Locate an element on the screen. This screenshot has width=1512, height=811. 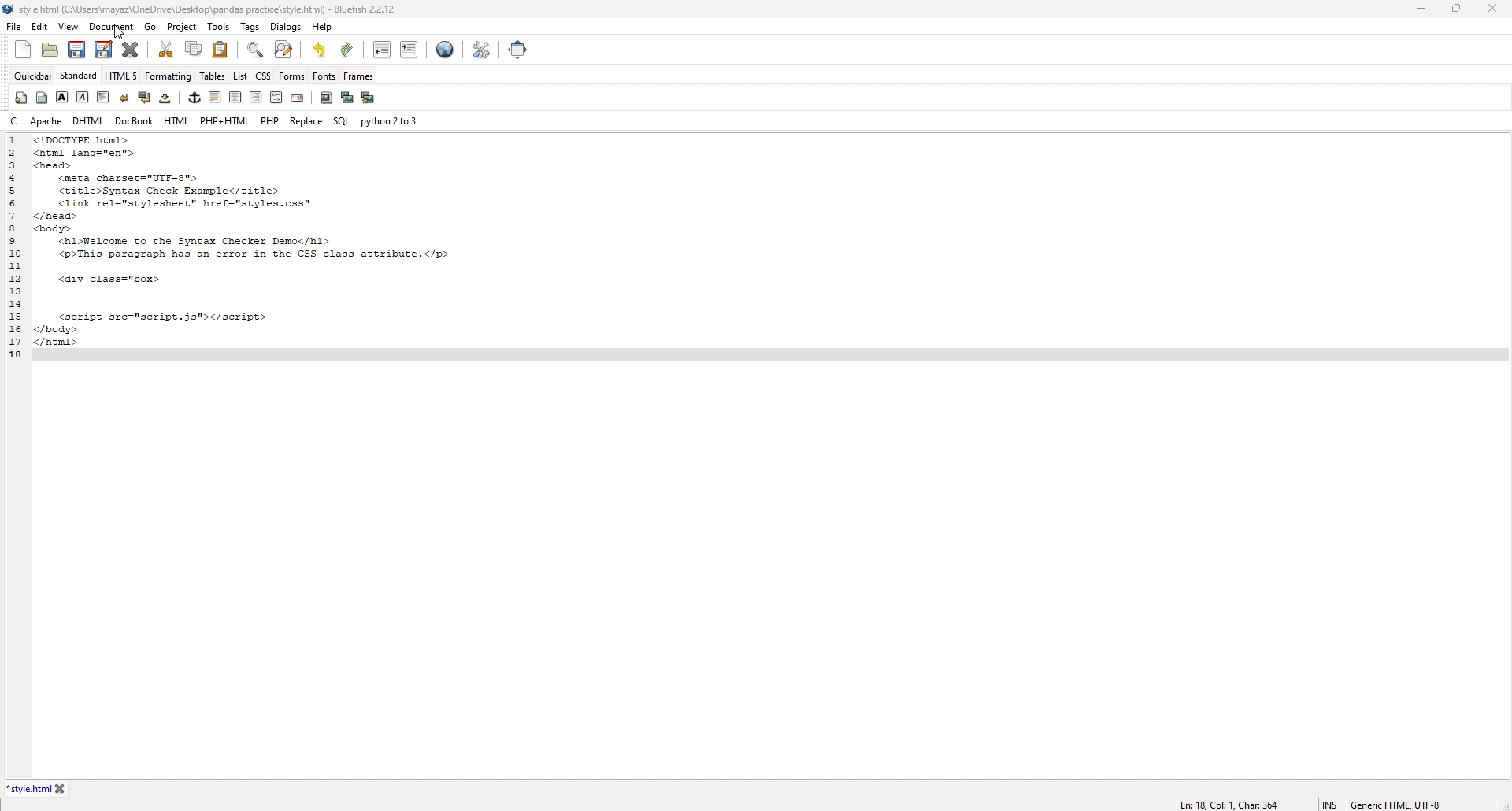
tables is located at coordinates (212, 76).